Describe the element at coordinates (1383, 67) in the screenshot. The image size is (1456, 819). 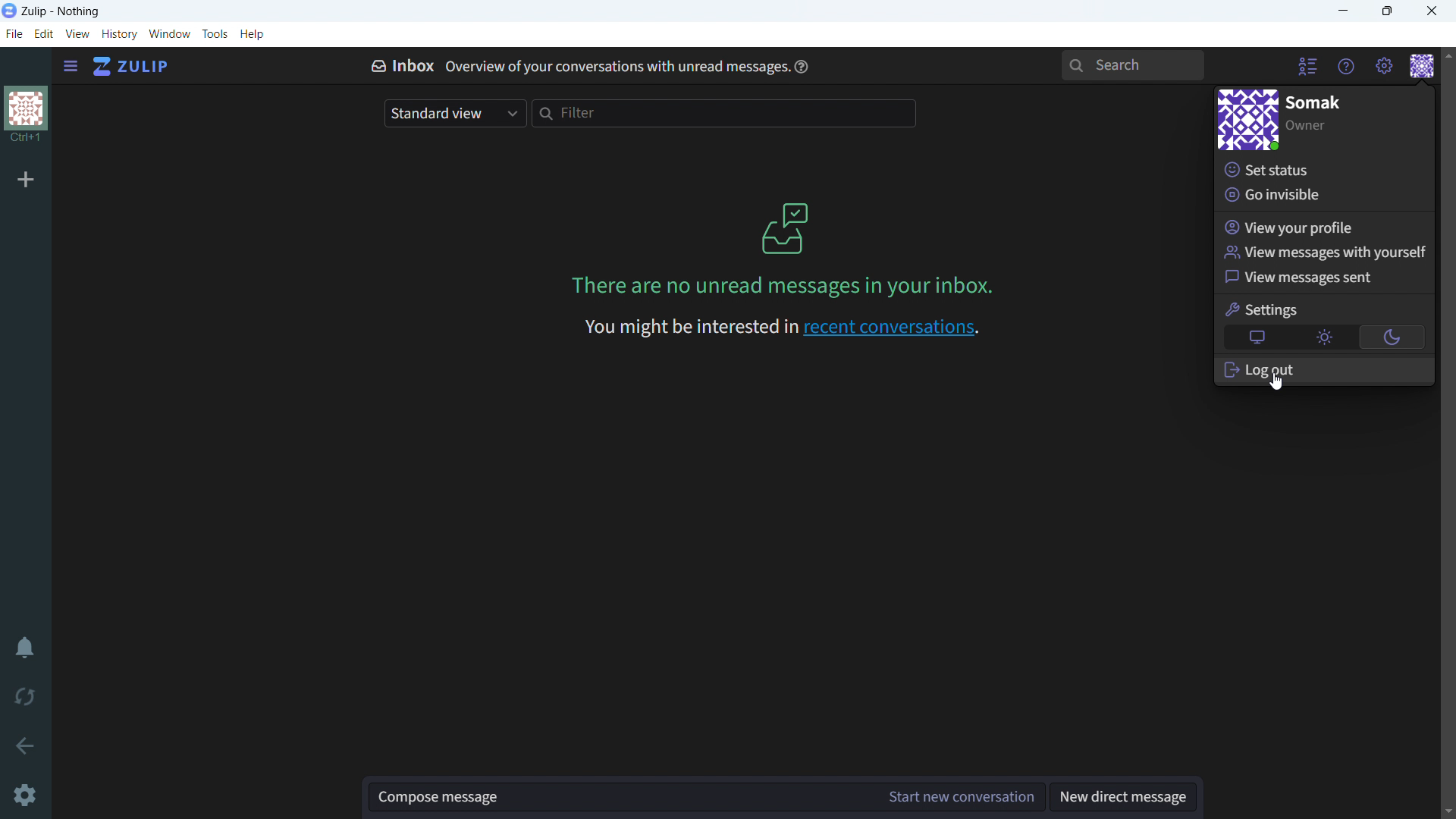
I see `main menu` at that location.